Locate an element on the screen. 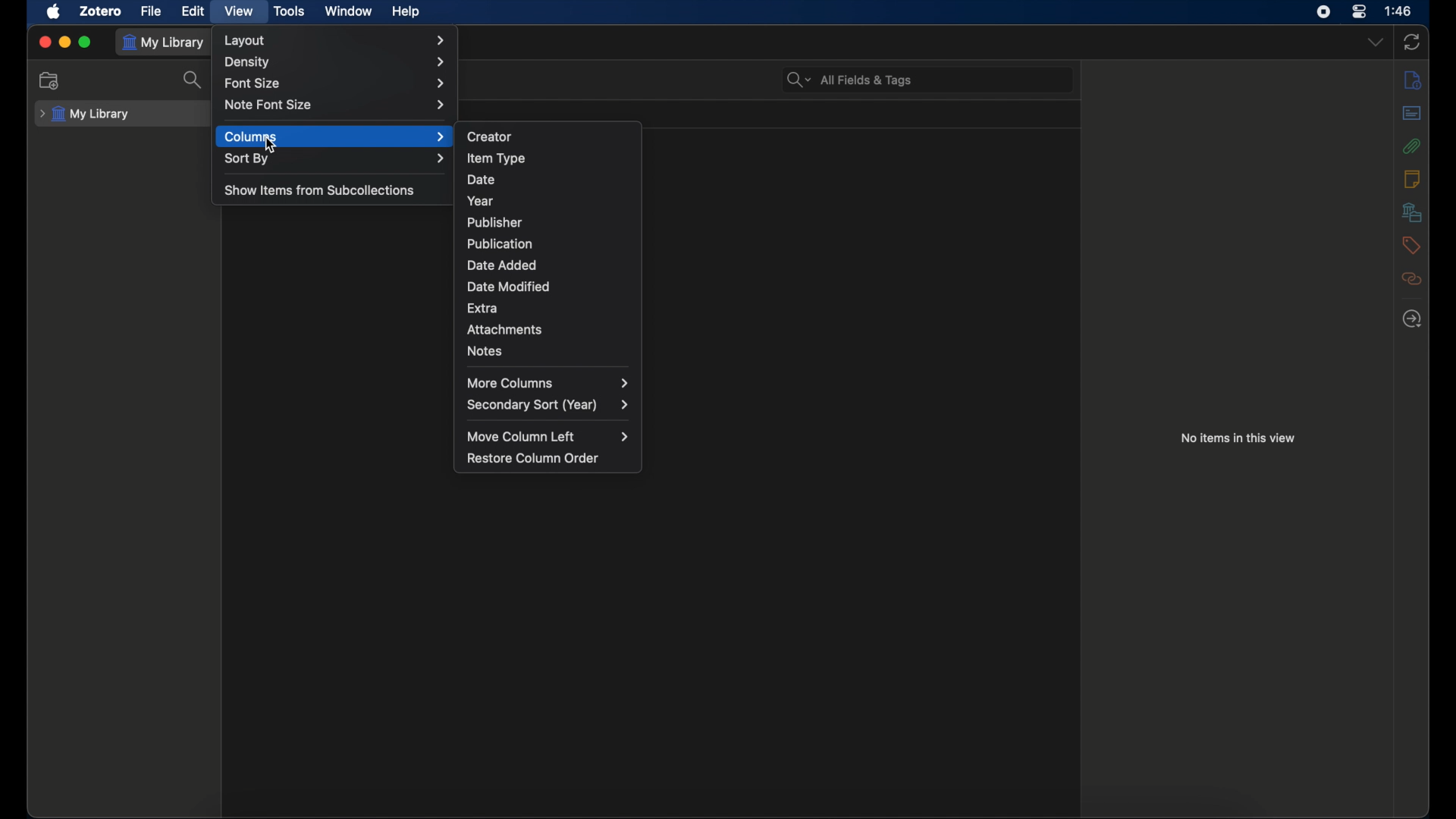  date added is located at coordinates (502, 264).